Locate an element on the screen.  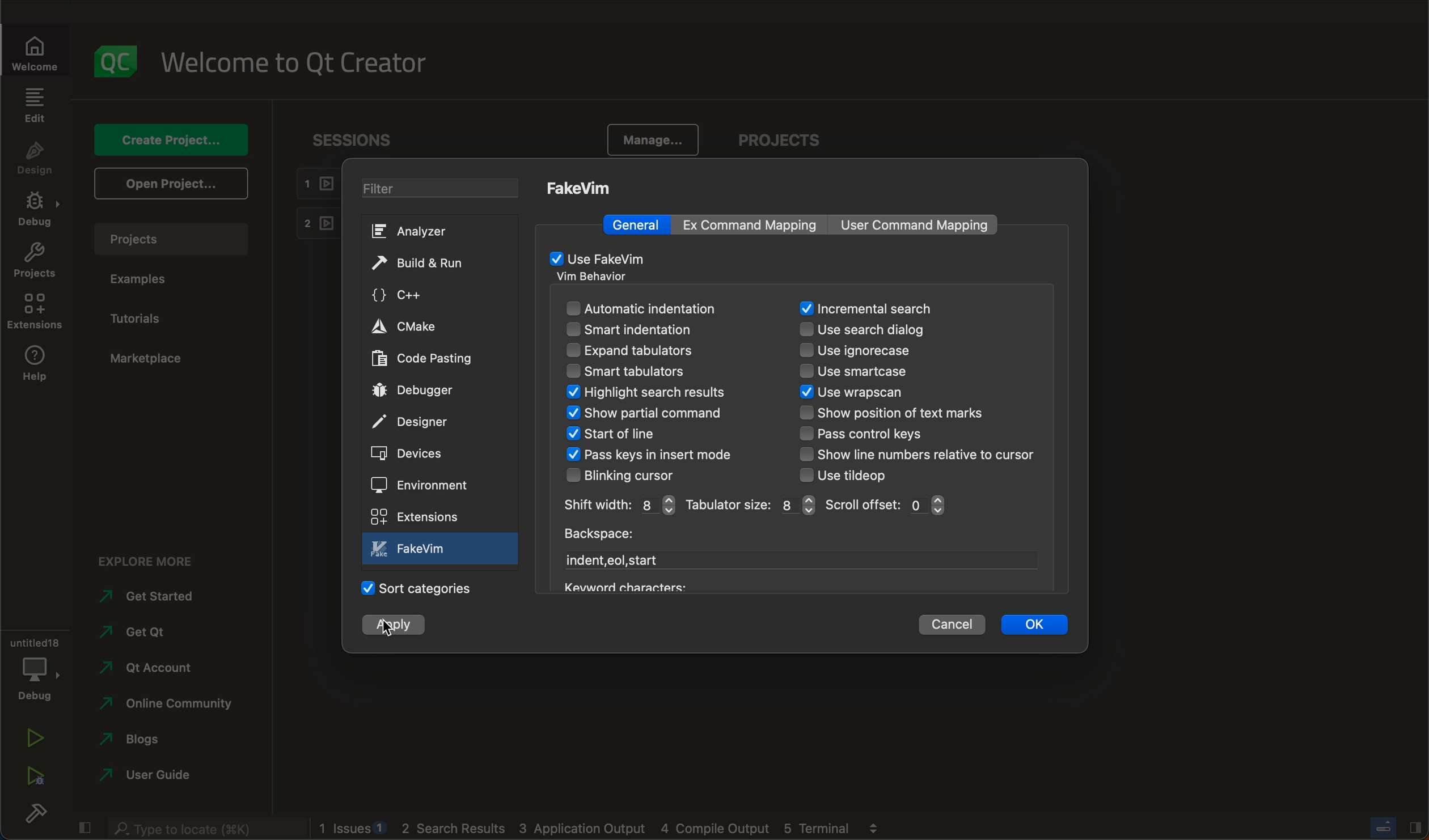
tiledop is located at coordinates (853, 476).